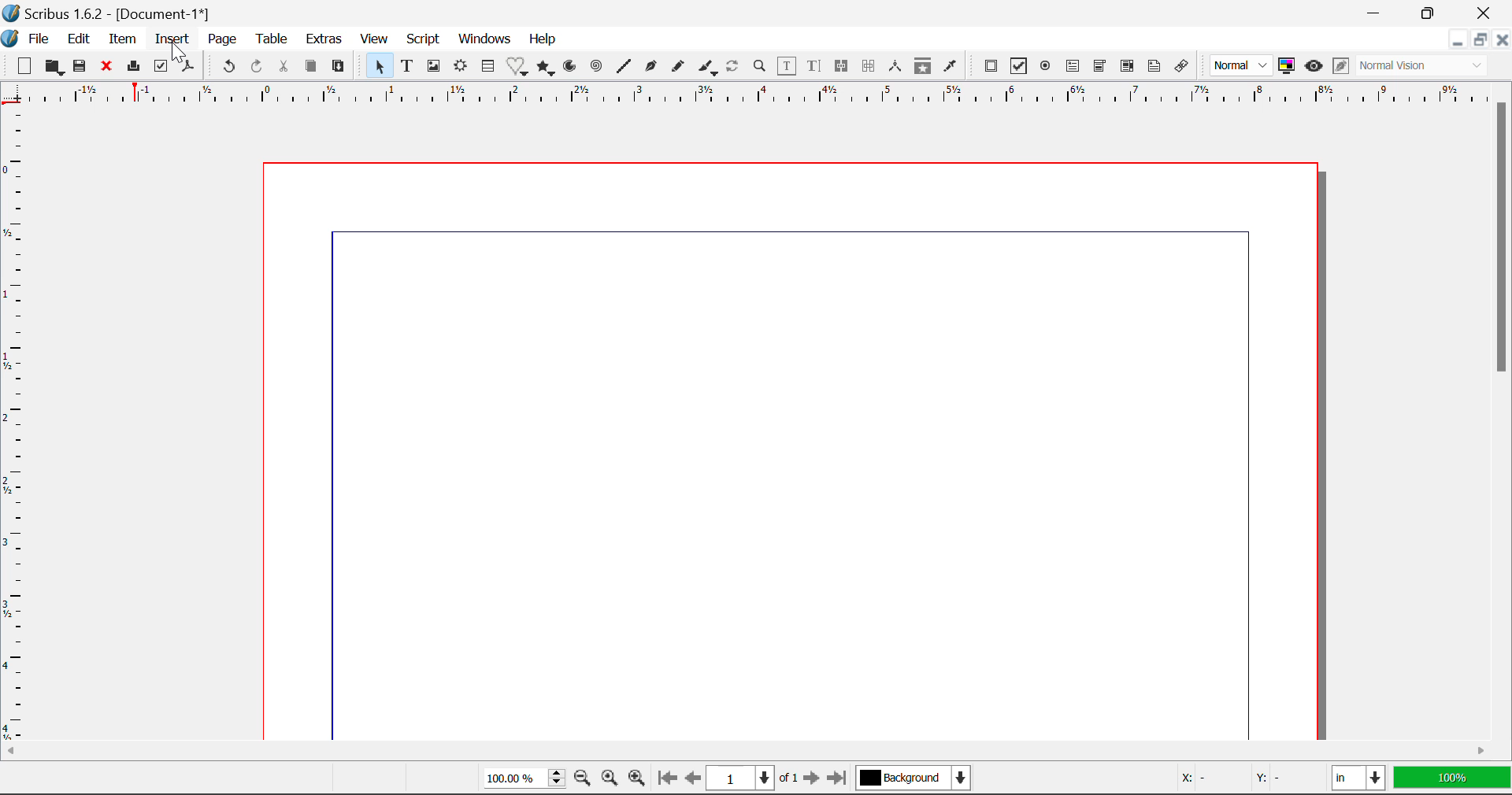 This screenshot has width=1512, height=795. I want to click on Undo, so click(226, 67).